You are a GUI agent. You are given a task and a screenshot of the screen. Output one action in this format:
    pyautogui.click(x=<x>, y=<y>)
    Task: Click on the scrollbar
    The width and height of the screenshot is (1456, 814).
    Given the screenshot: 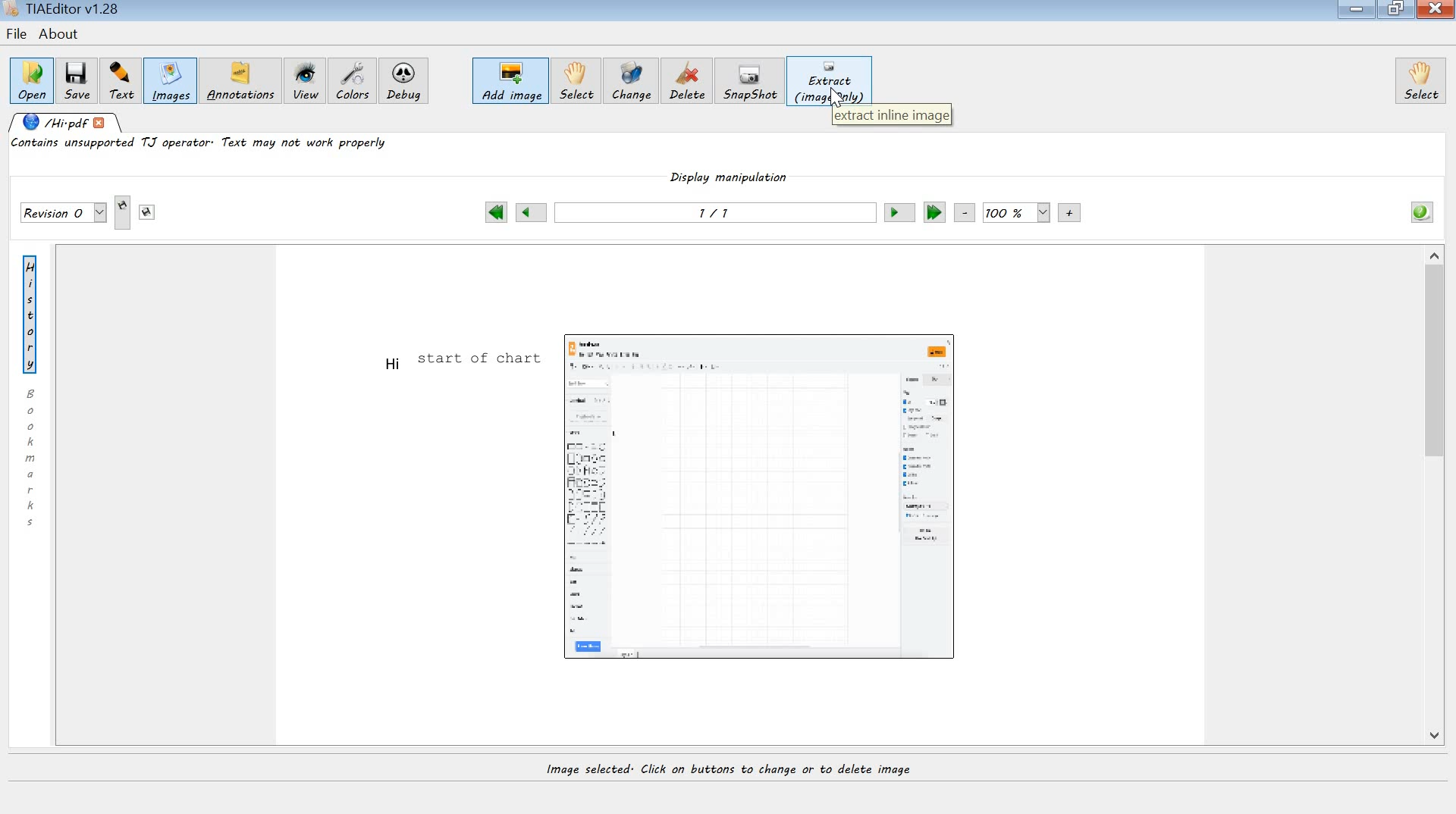 What is the action you would take?
    pyautogui.click(x=1436, y=499)
    